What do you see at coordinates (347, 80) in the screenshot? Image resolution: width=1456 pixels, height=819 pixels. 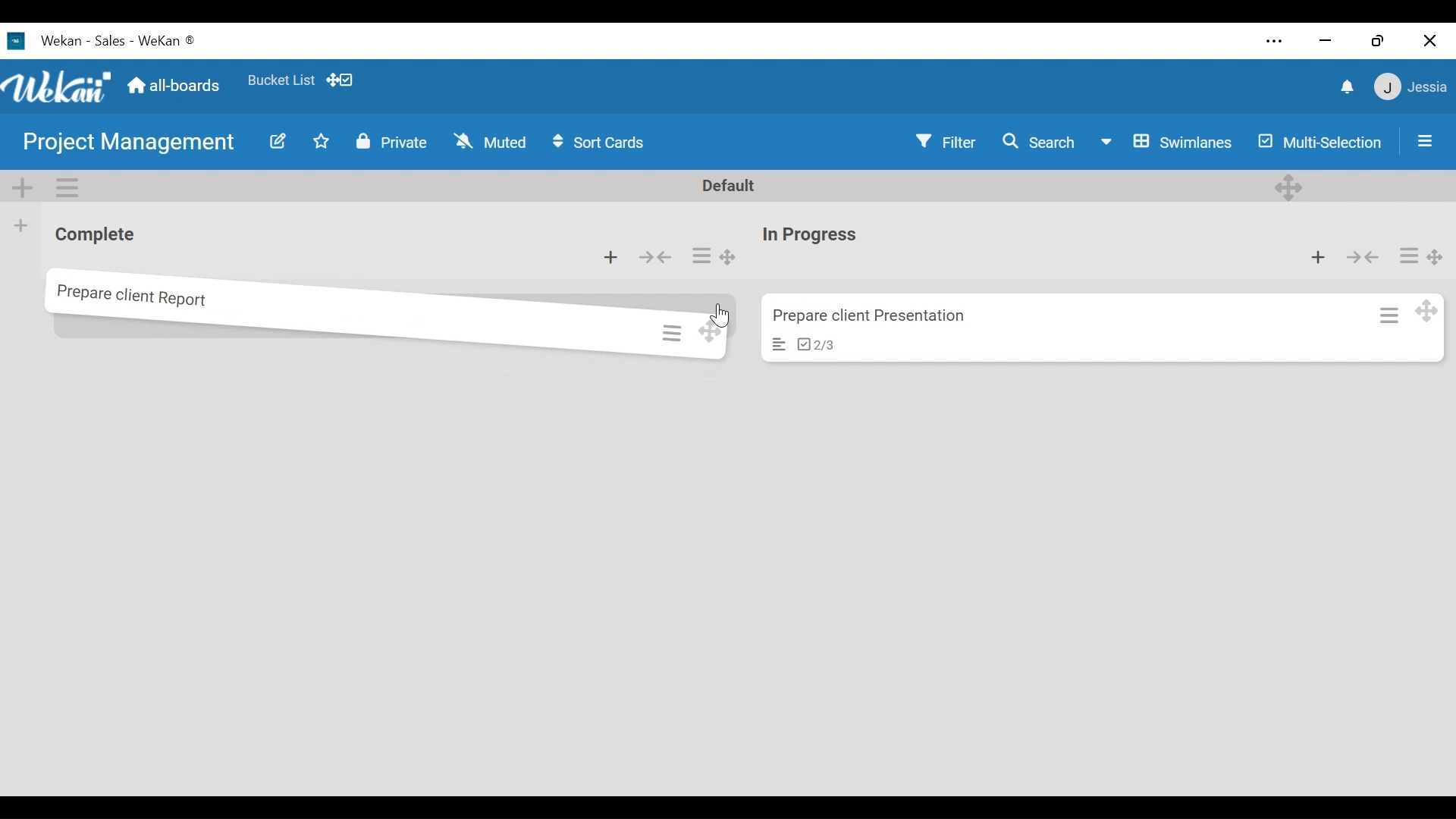 I see `dekstop drag bar` at bounding box center [347, 80].